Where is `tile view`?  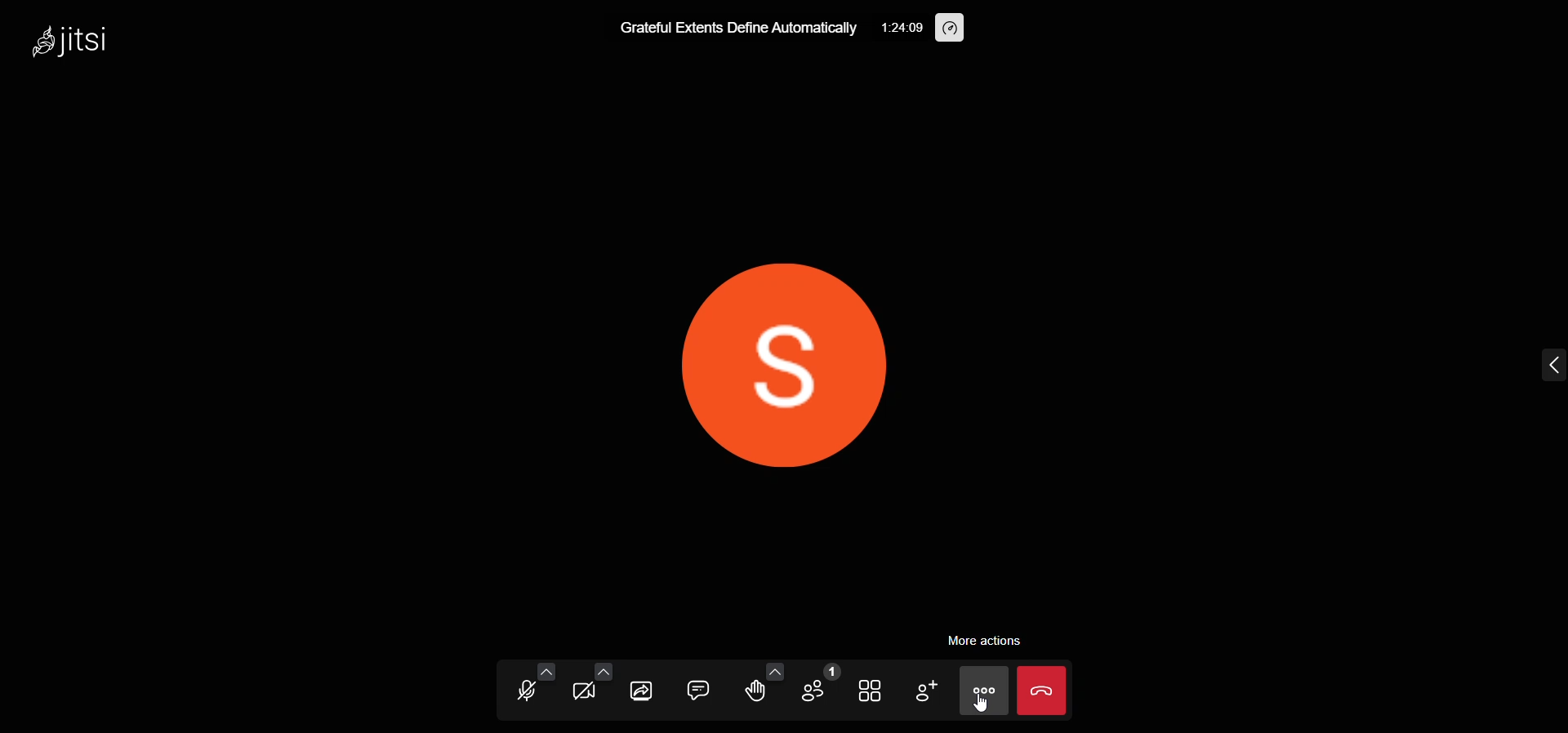 tile view is located at coordinates (871, 691).